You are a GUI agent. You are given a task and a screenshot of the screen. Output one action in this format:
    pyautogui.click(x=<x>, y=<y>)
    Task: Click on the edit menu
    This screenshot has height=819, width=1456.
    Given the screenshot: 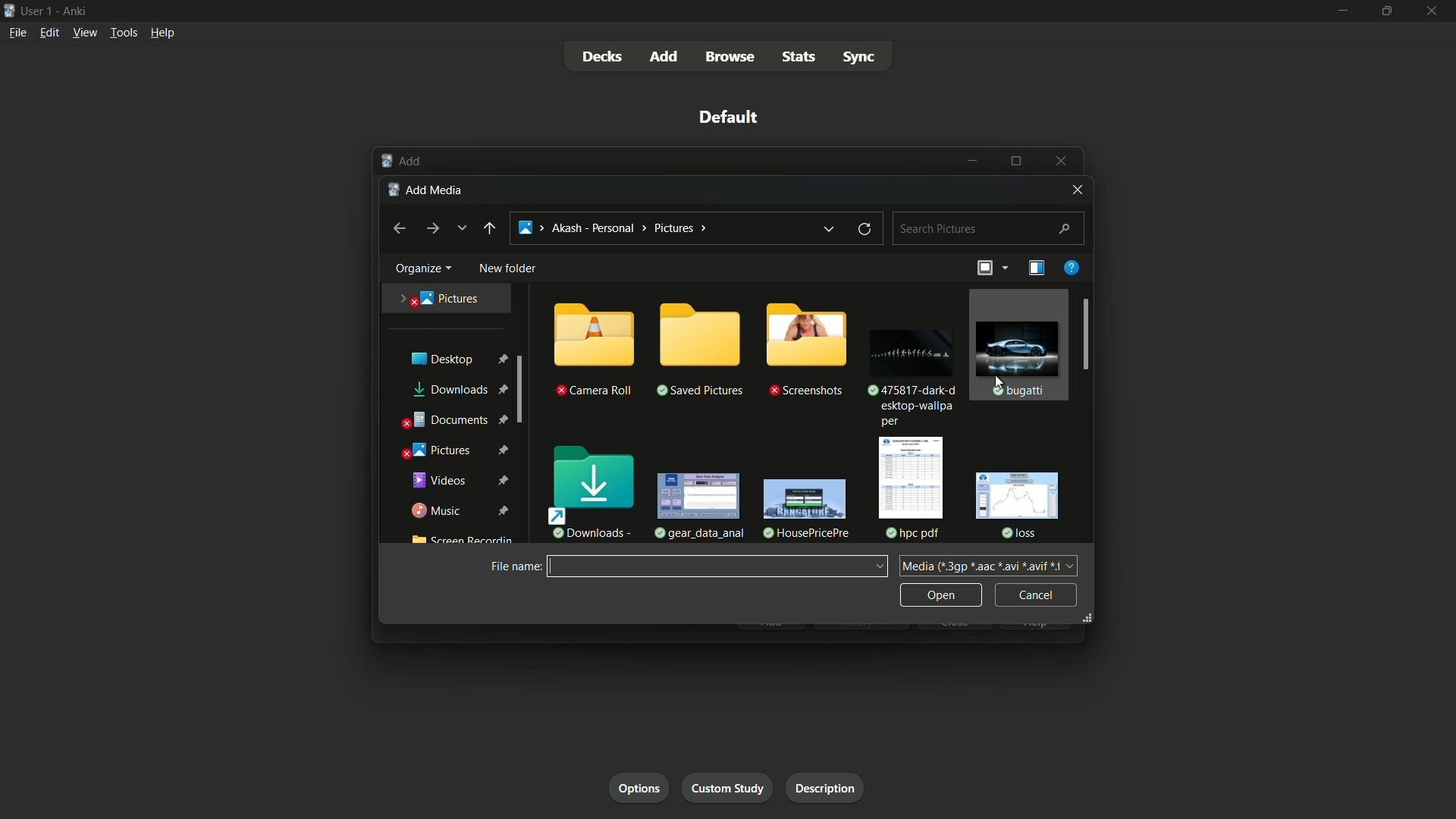 What is the action you would take?
    pyautogui.click(x=52, y=32)
    